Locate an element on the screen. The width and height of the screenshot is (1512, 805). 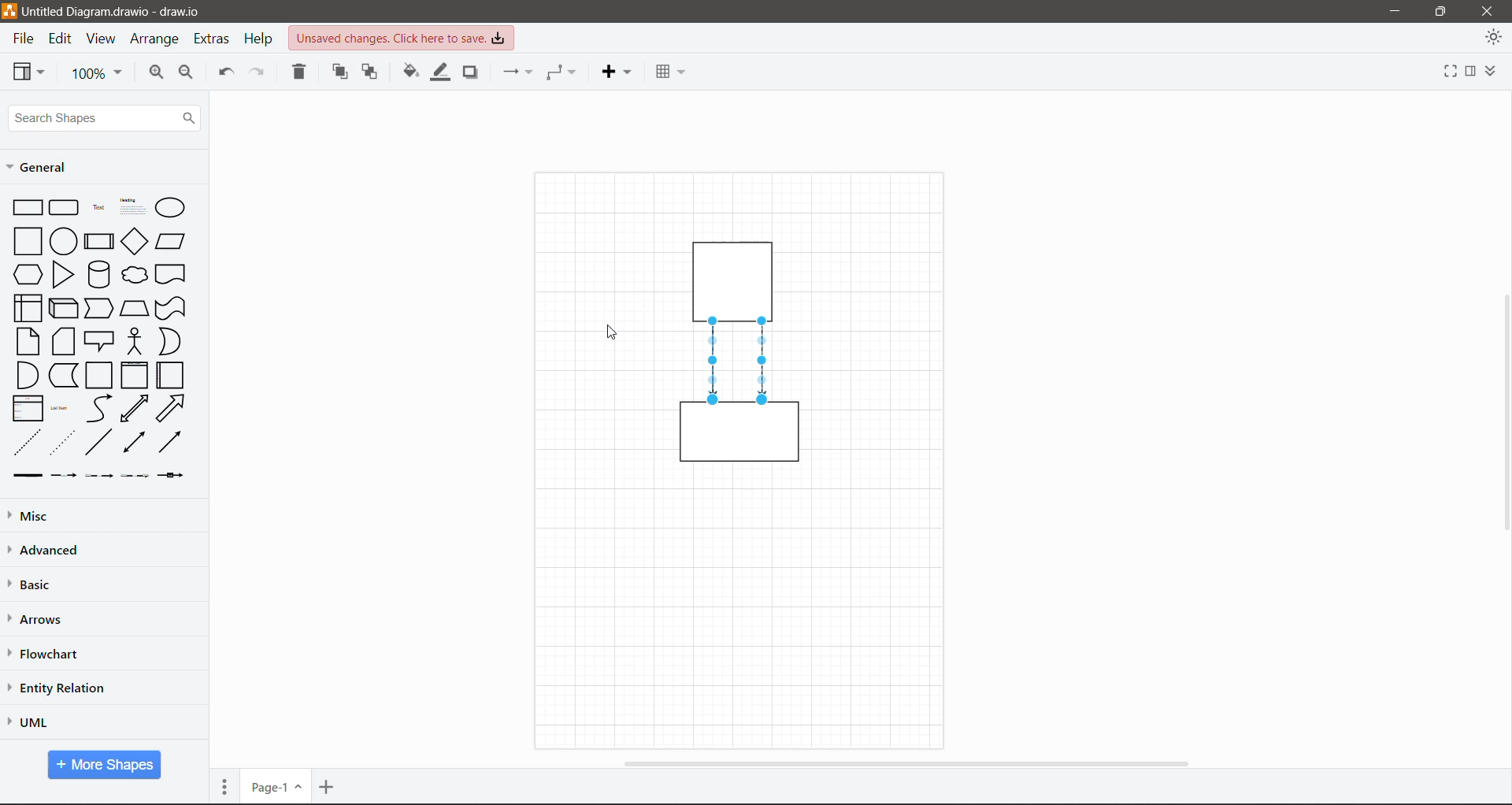
General is located at coordinates (43, 167).